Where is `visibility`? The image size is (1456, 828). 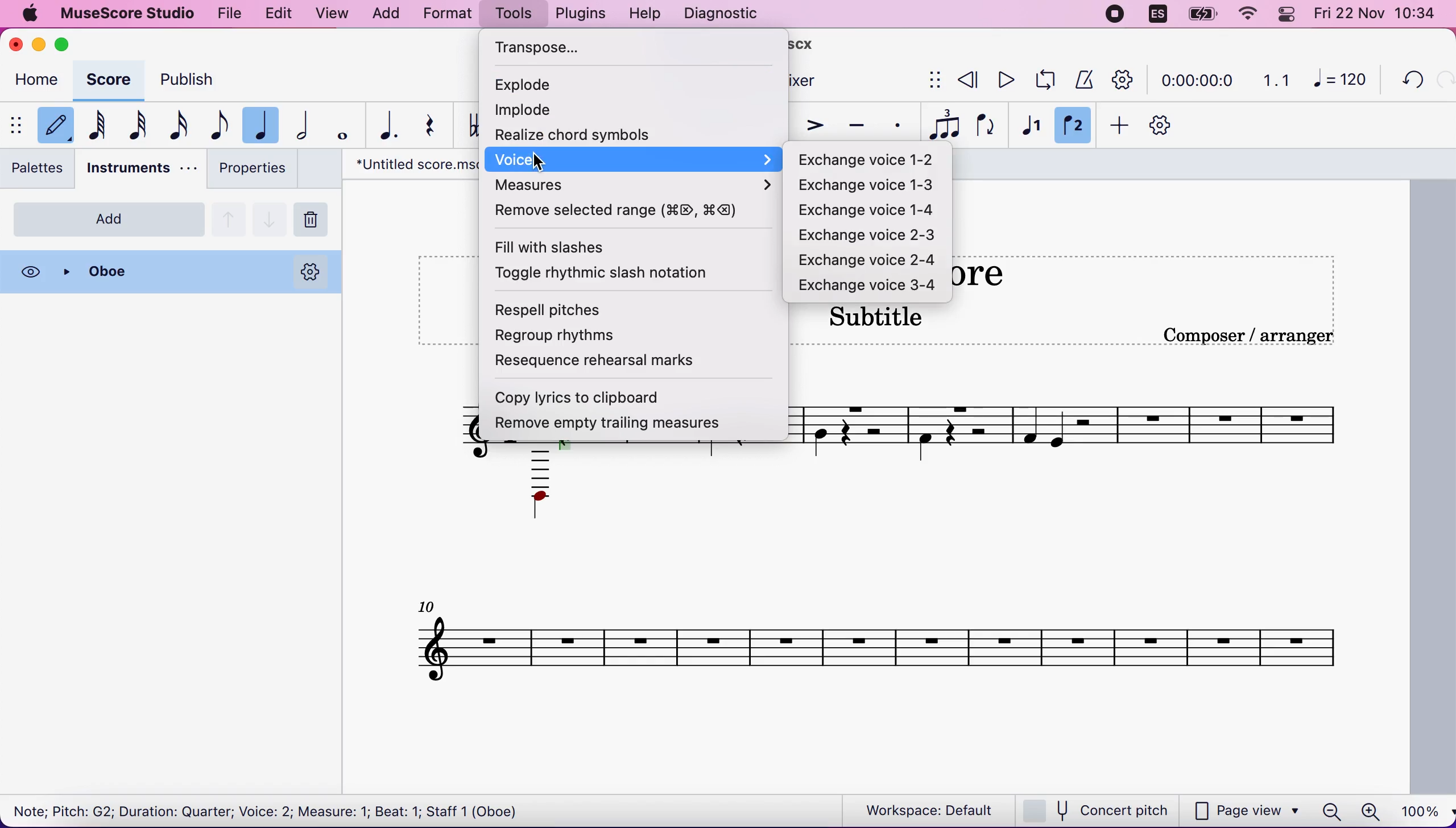
visibility is located at coordinates (32, 271).